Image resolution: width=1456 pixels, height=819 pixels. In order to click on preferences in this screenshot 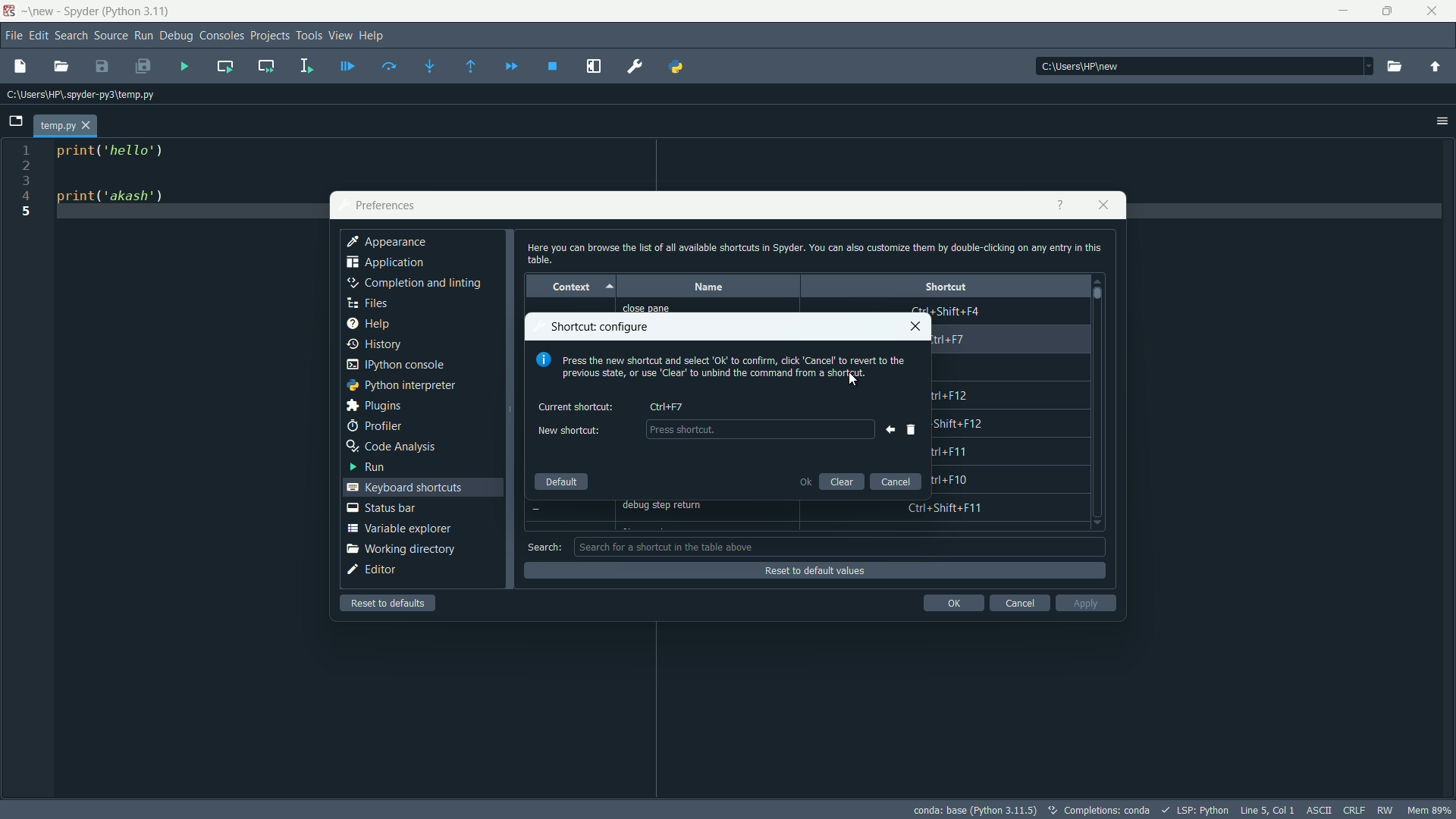, I will do `click(384, 206)`.